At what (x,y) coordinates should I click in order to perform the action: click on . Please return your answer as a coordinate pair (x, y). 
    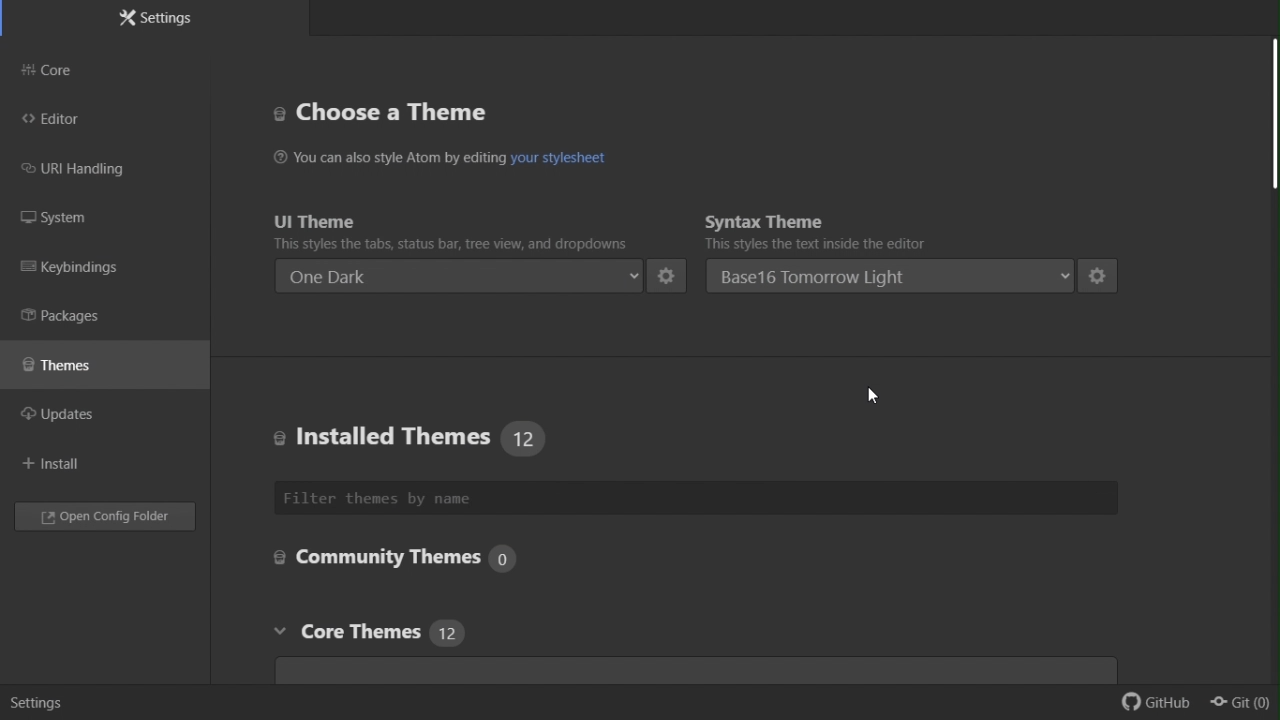
    Looking at the image, I should click on (395, 111).